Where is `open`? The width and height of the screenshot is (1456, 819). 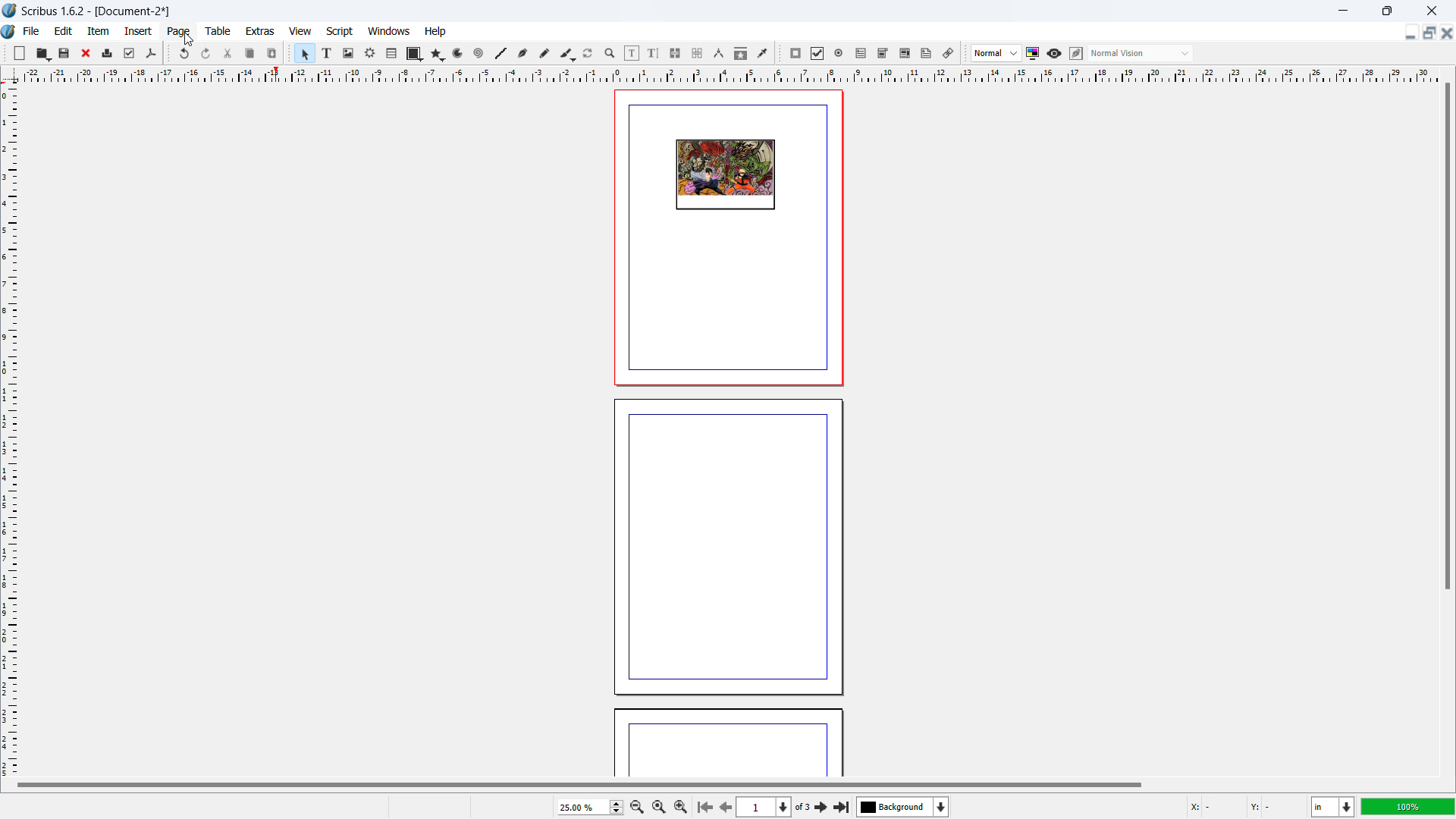 open is located at coordinates (42, 53).